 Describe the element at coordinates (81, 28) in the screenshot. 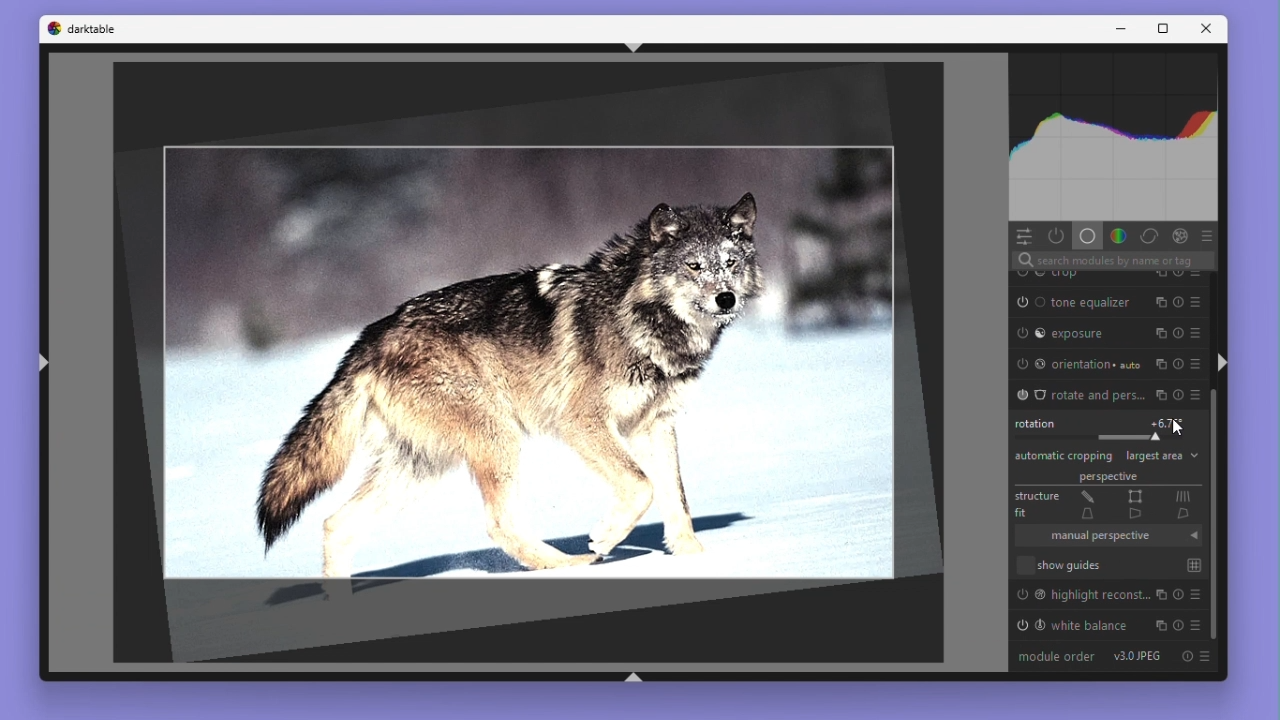

I see `Darktable` at that location.